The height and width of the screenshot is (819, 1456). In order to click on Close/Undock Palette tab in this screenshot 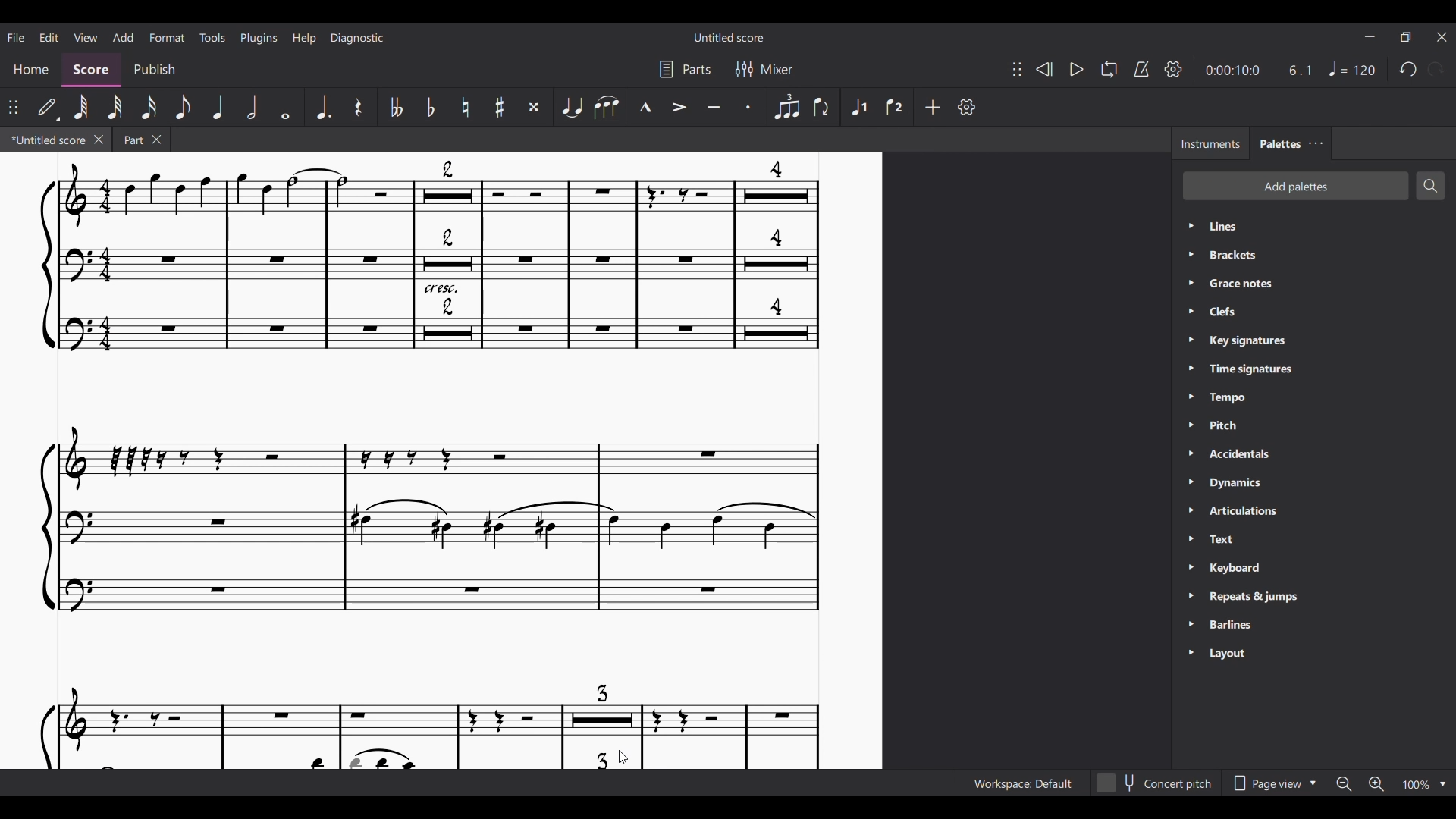, I will do `click(1316, 143)`.